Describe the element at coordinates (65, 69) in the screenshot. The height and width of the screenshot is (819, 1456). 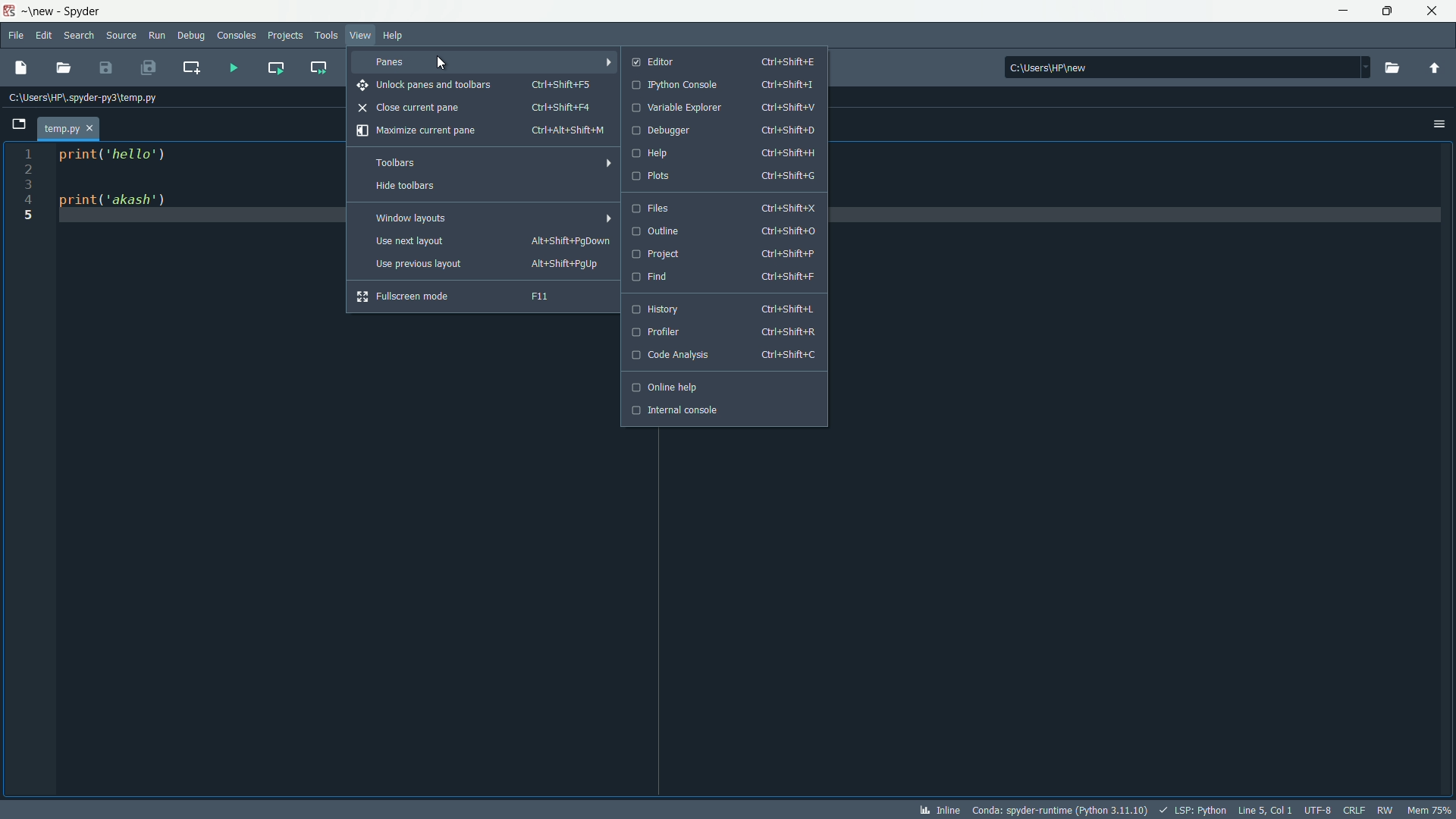
I see `open file` at that location.